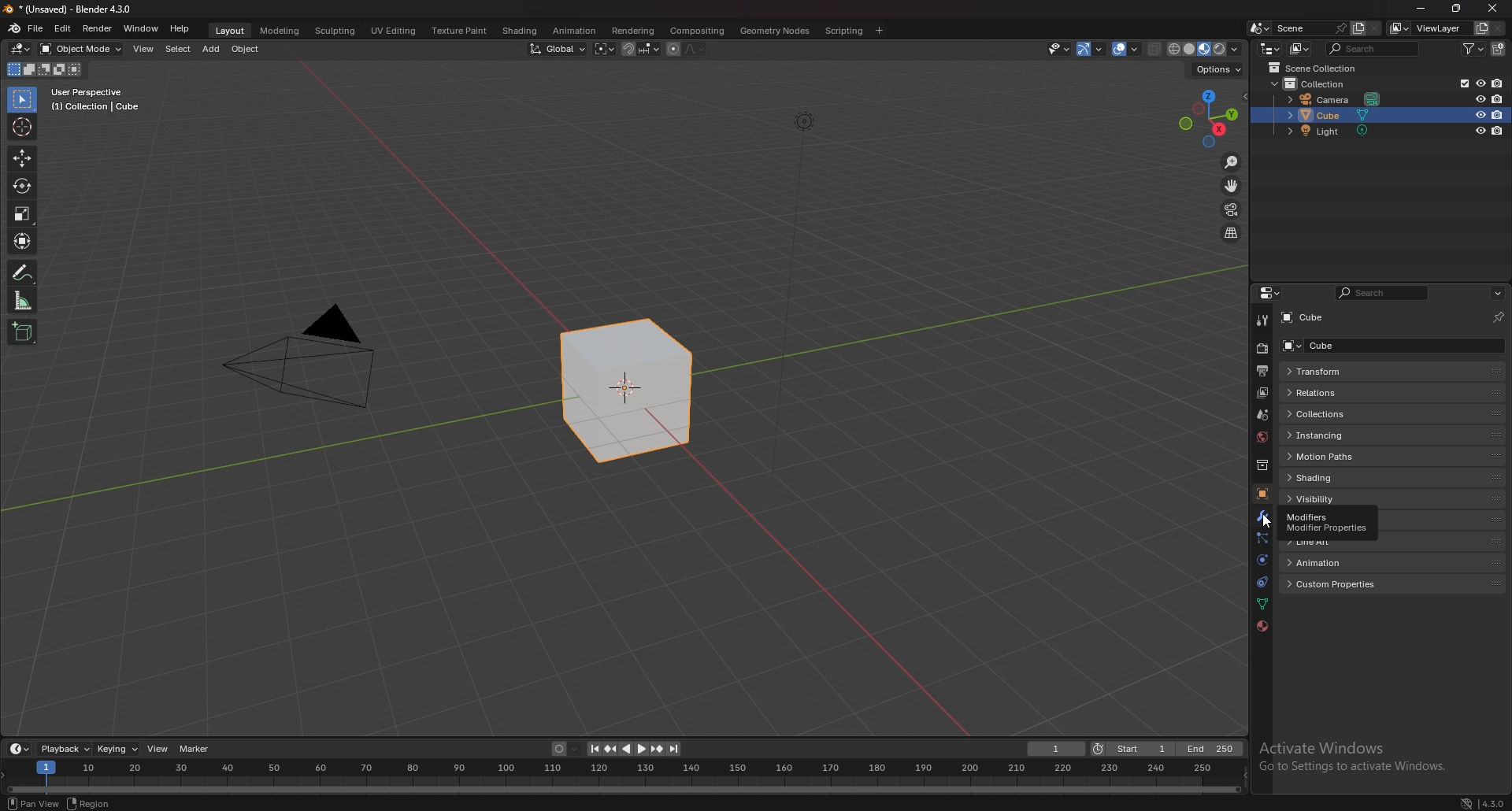 The image size is (1512, 811). Describe the element at coordinates (336, 31) in the screenshot. I see `sculpting` at that location.